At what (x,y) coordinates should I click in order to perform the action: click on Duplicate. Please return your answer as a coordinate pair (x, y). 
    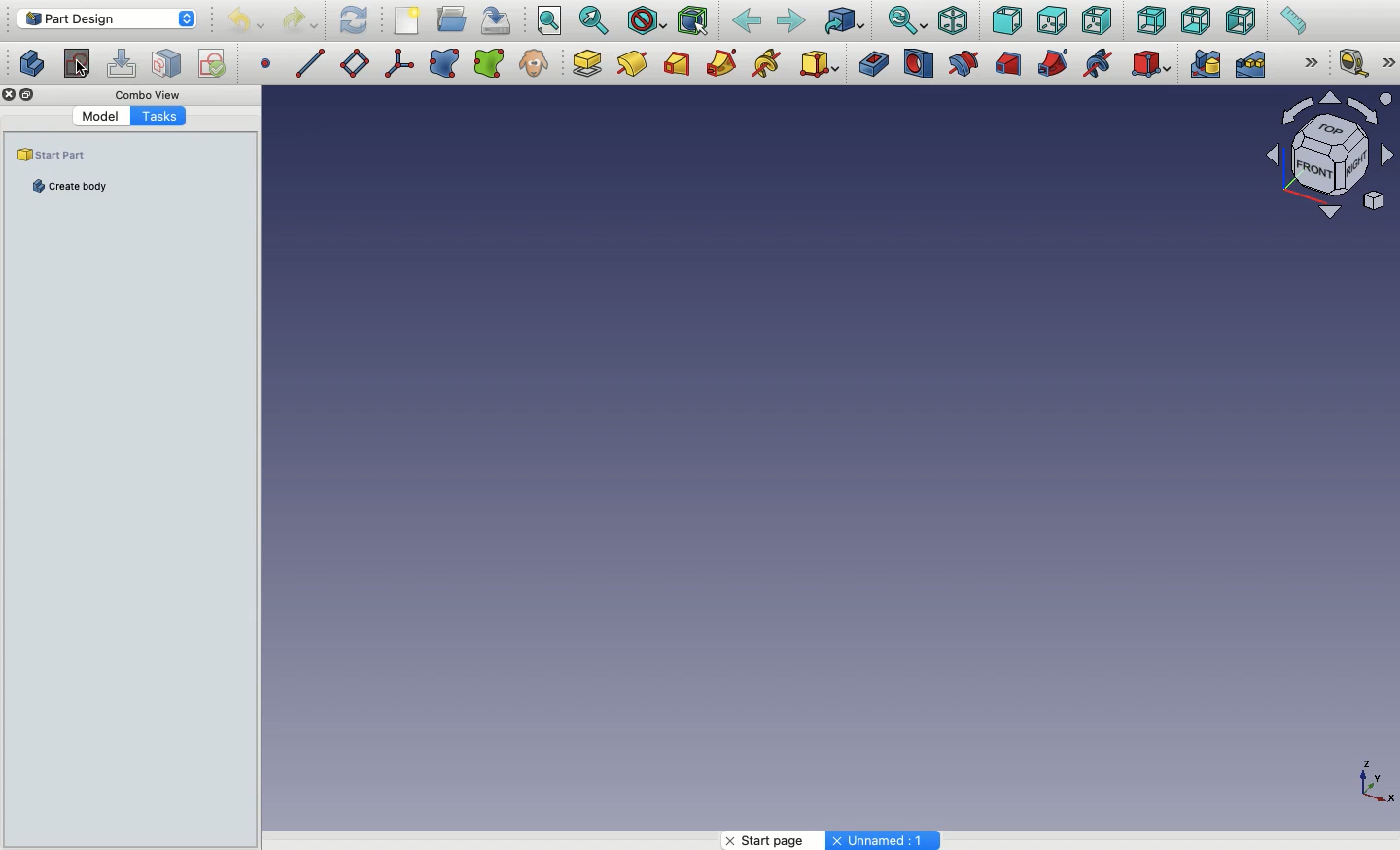
    Looking at the image, I should click on (30, 97).